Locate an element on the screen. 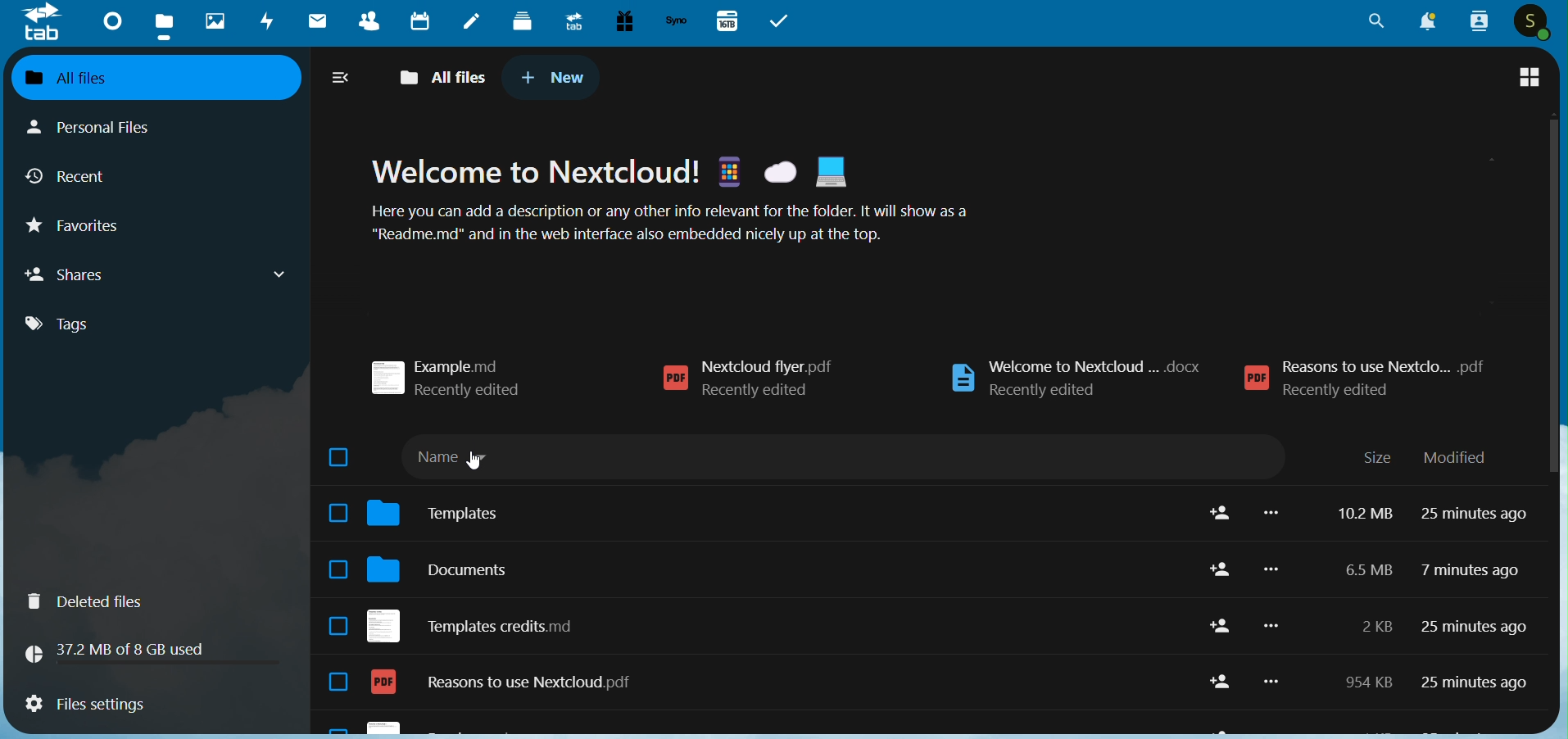 The width and height of the screenshot is (1568, 739). Upgrade is located at coordinates (573, 21).